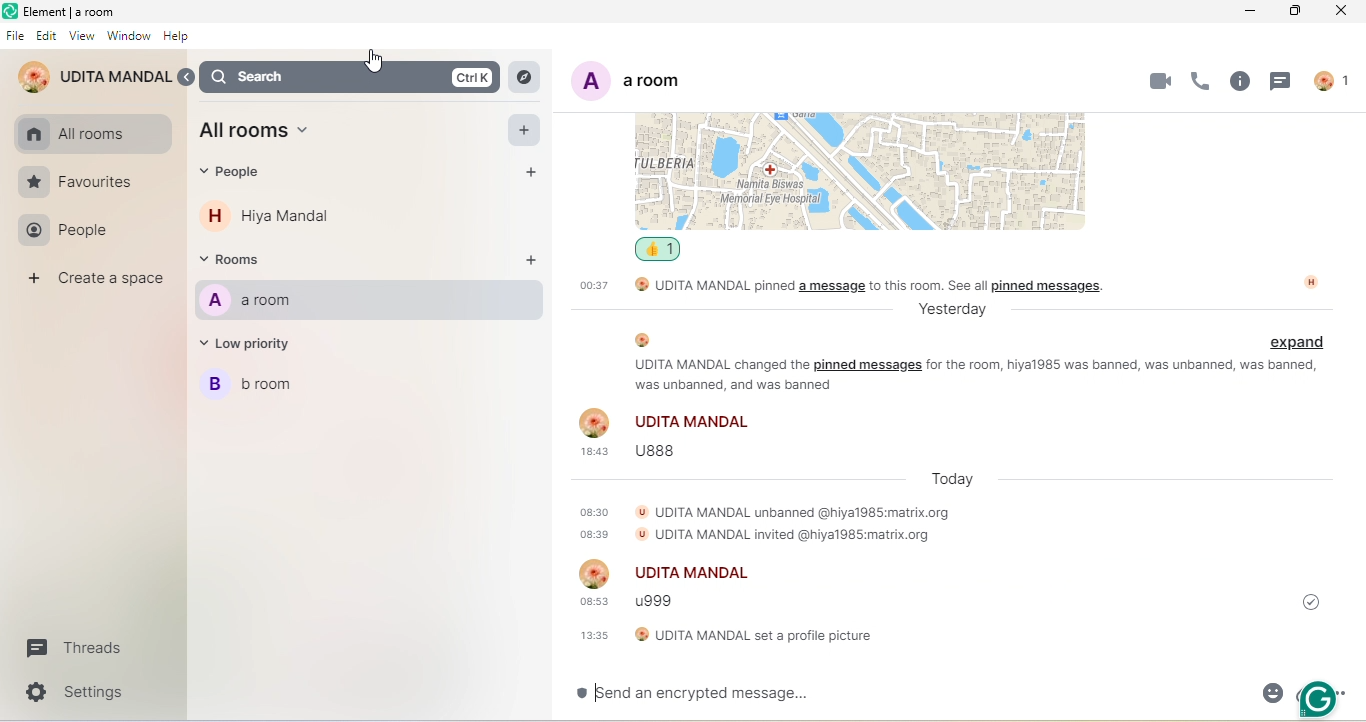 The height and width of the screenshot is (722, 1366). What do you see at coordinates (262, 388) in the screenshot?
I see `B broom` at bounding box center [262, 388].